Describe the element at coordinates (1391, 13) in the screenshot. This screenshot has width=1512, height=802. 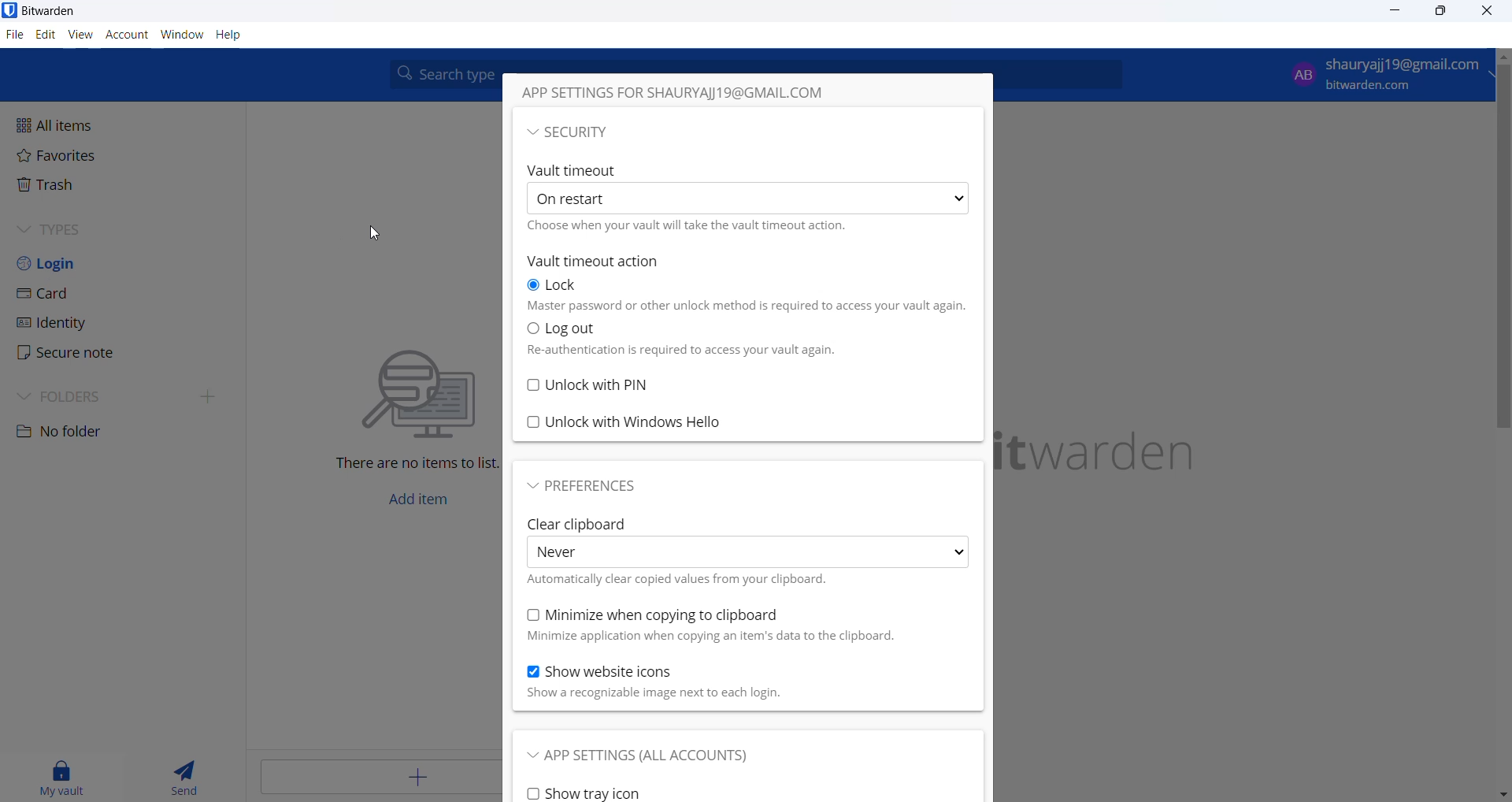
I see `minimize` at that location.